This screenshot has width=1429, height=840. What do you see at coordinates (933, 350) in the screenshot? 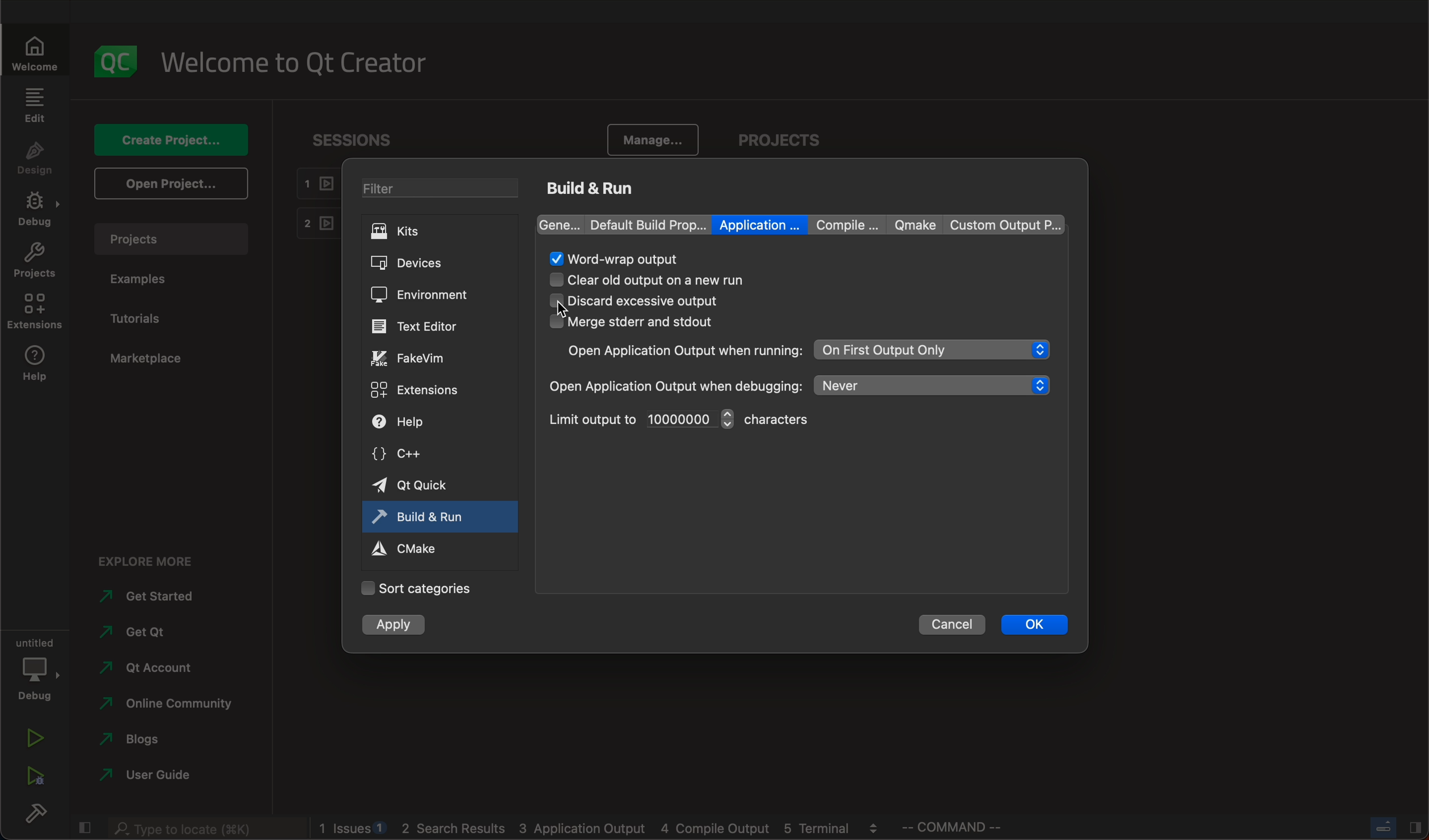
I see `on first output` at bounding box center [933, 350].